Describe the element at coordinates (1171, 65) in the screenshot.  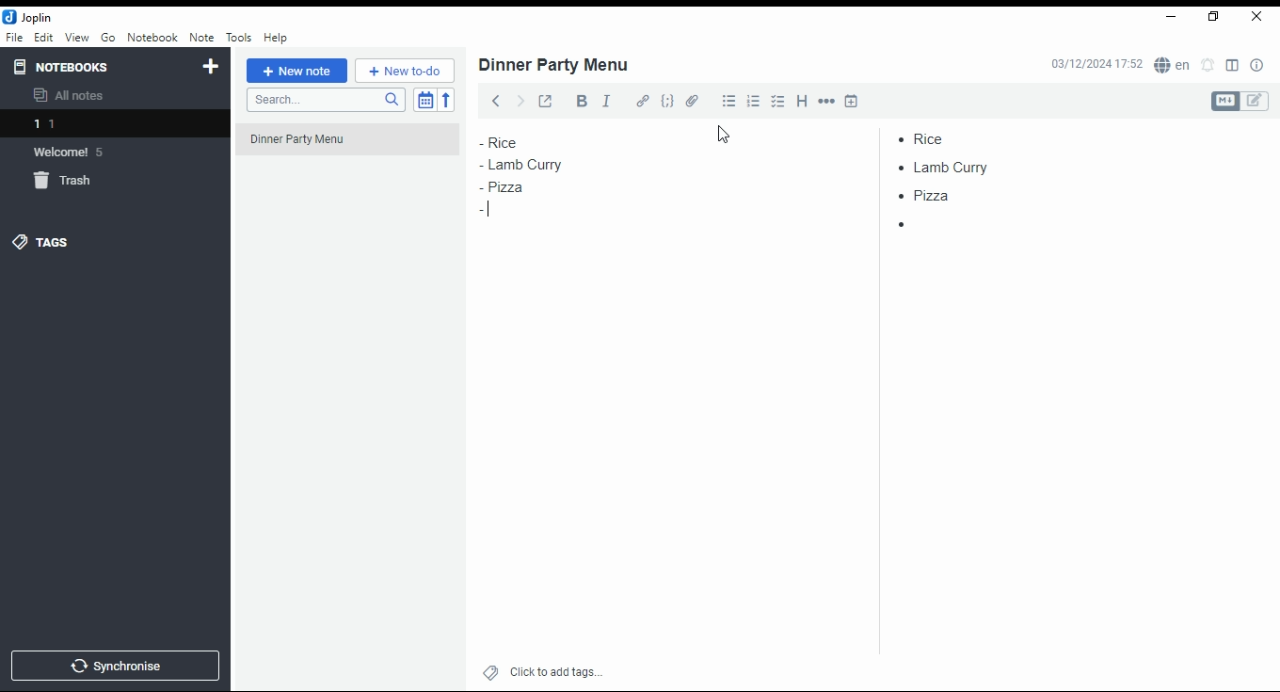
I see `language` at that location.